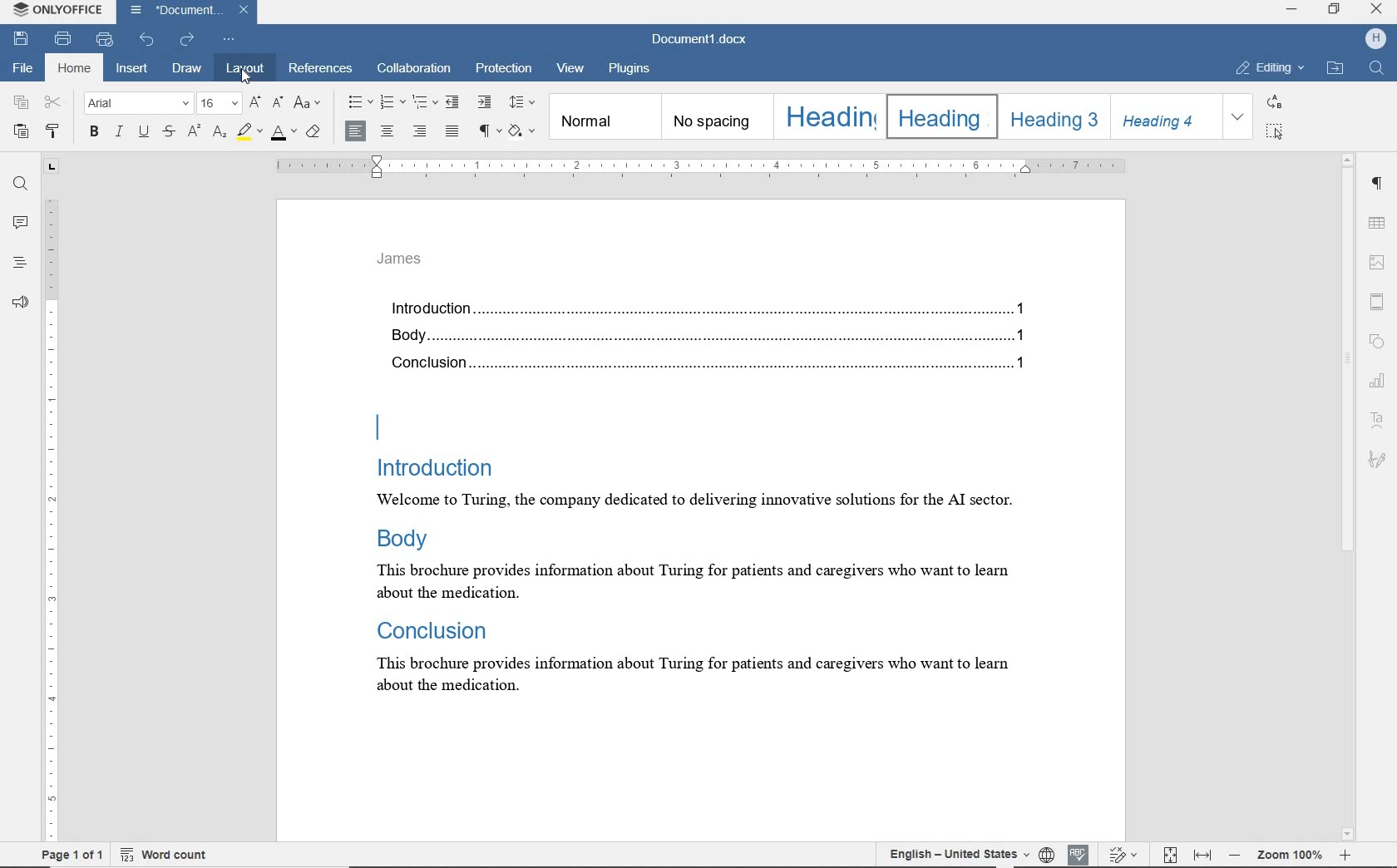 The height and width of the screenshot is (868, 1397). What do you see at coordinates (169, 132) in the screenshot?
I see `strikethrough` at bounding box center [169, 132].